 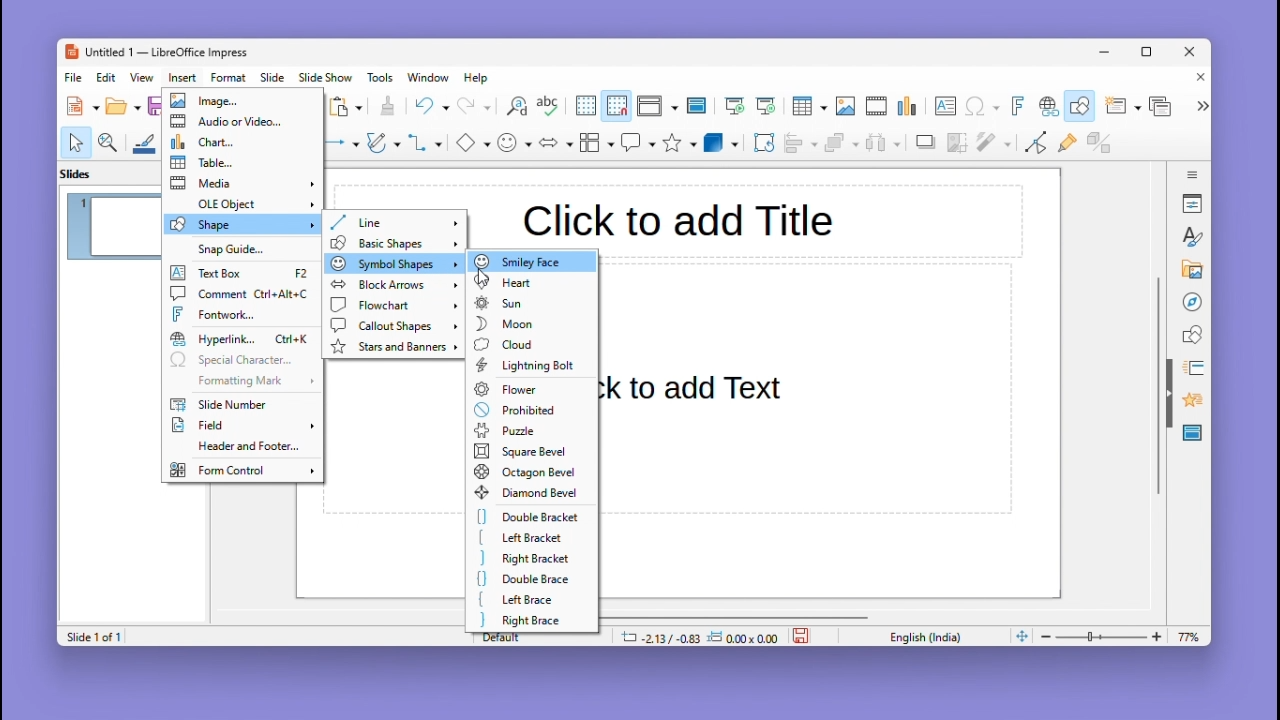 I want to click on Puzzle, so click(x=529, y=431).